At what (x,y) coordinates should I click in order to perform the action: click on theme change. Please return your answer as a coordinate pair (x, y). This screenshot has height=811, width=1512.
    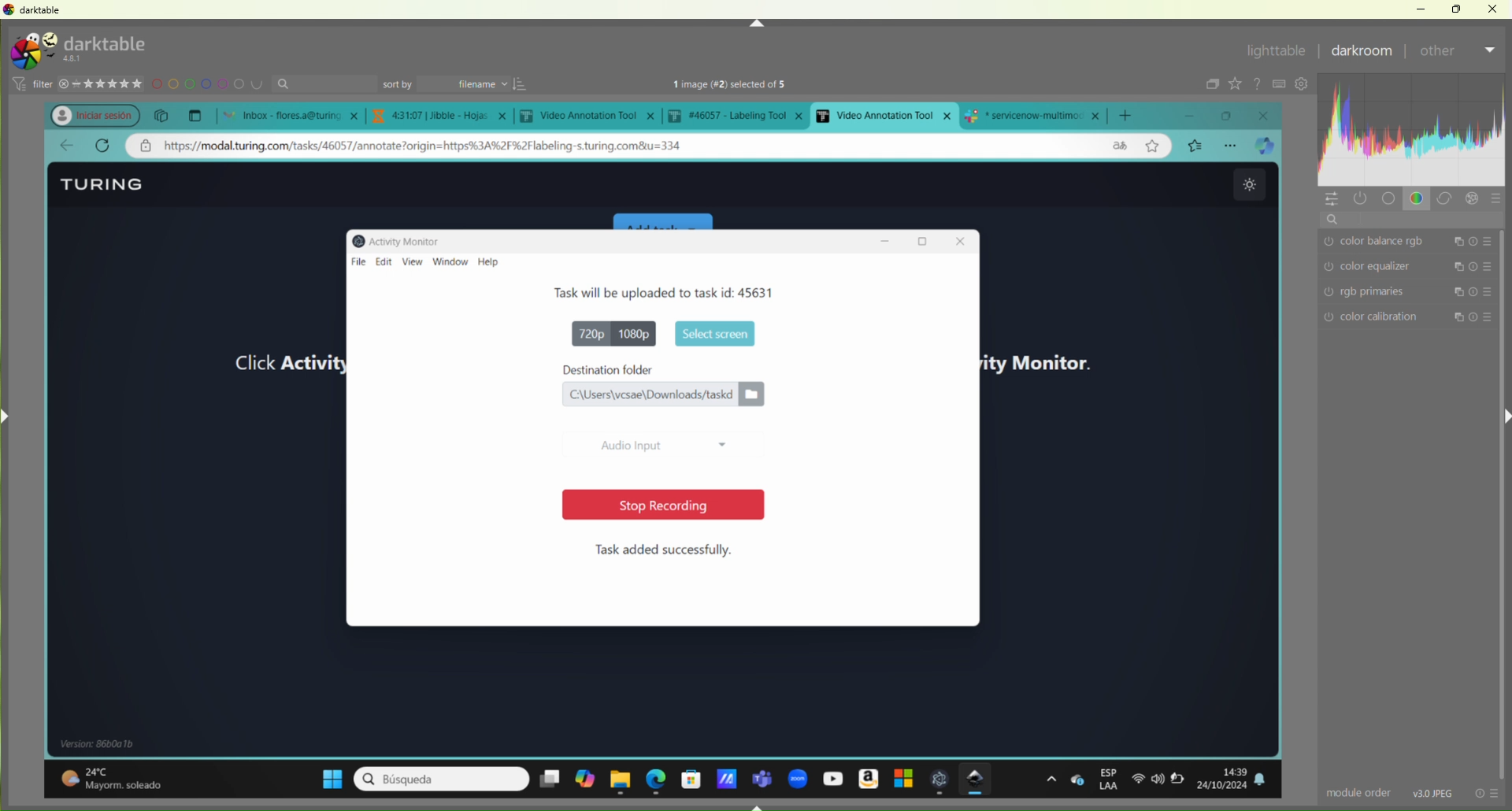
    Looking at the image, I should click on (1247, 185).